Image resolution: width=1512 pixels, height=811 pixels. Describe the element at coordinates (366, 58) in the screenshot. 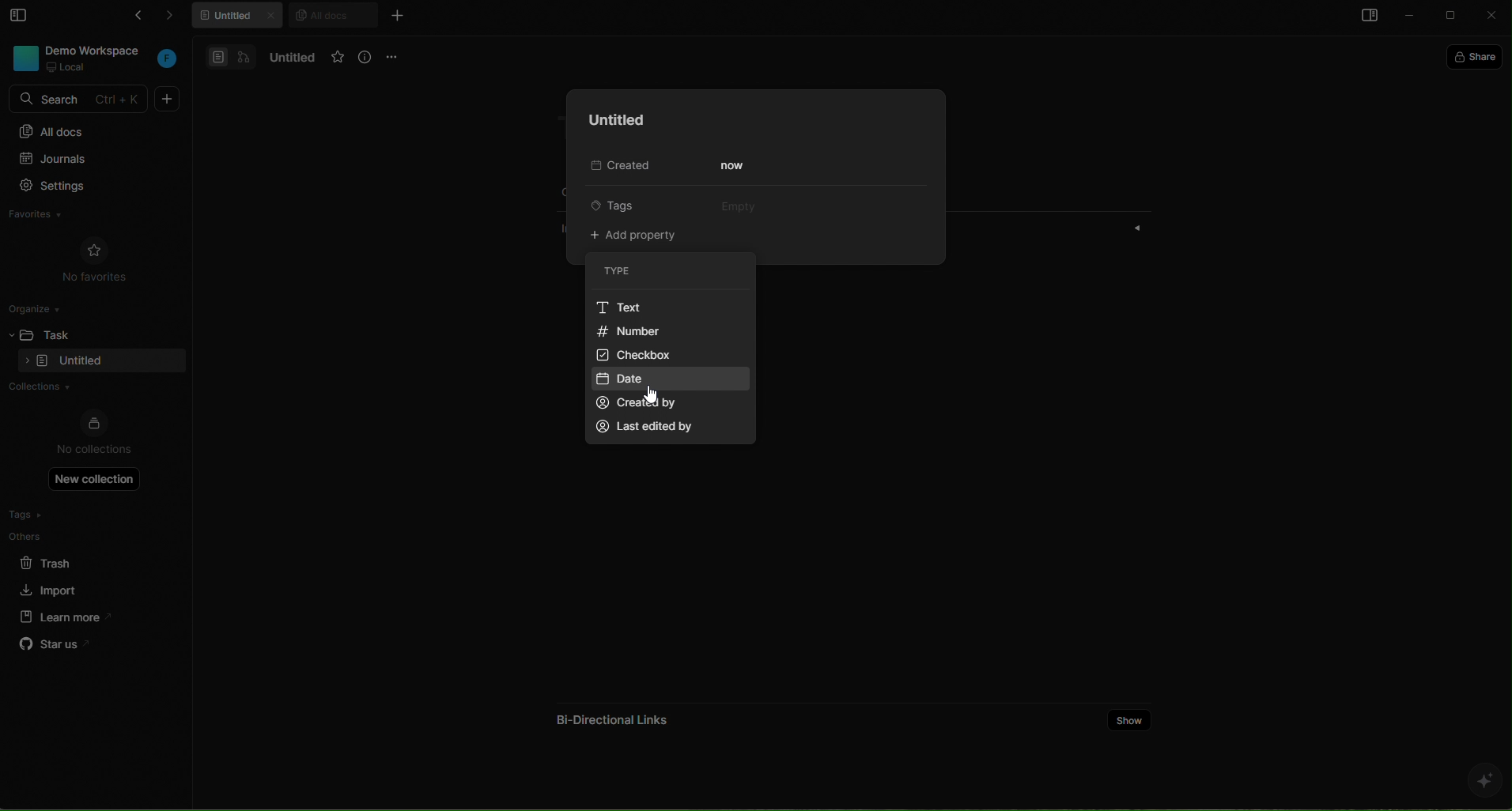

I see `info` at that location.